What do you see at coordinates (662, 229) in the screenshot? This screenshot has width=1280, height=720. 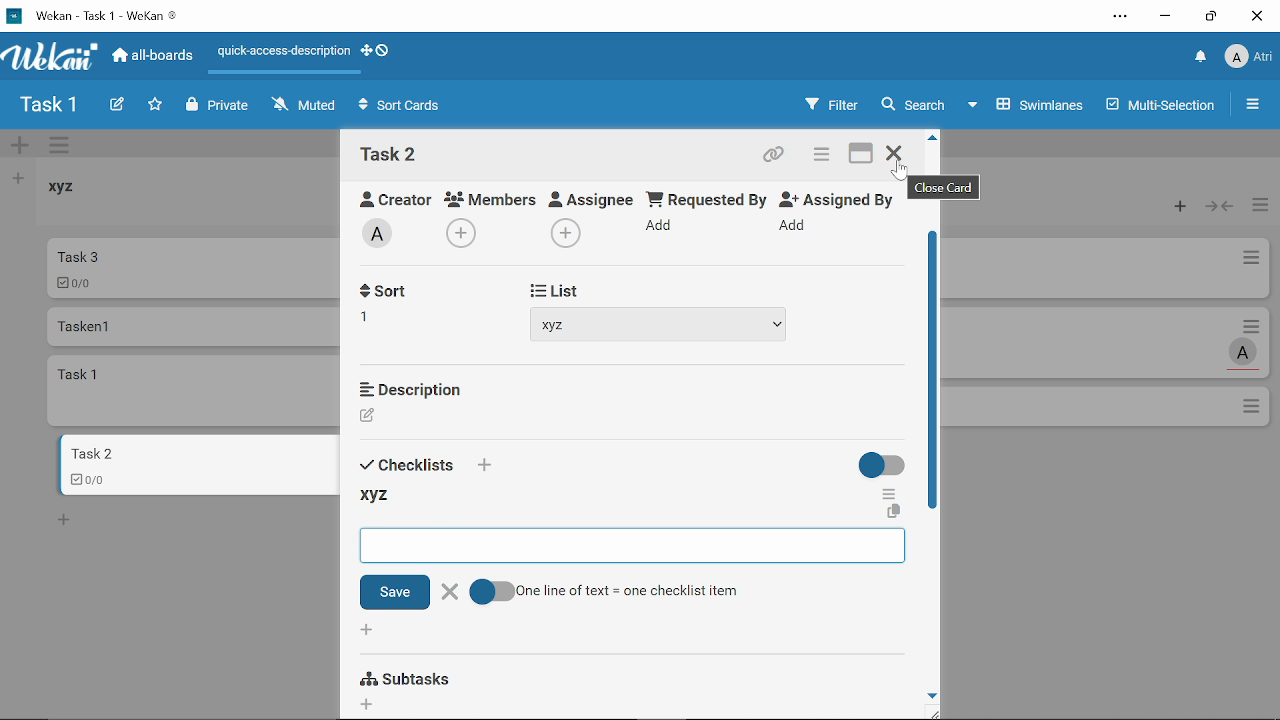 I see `Add` at bounding box center [662, 229].